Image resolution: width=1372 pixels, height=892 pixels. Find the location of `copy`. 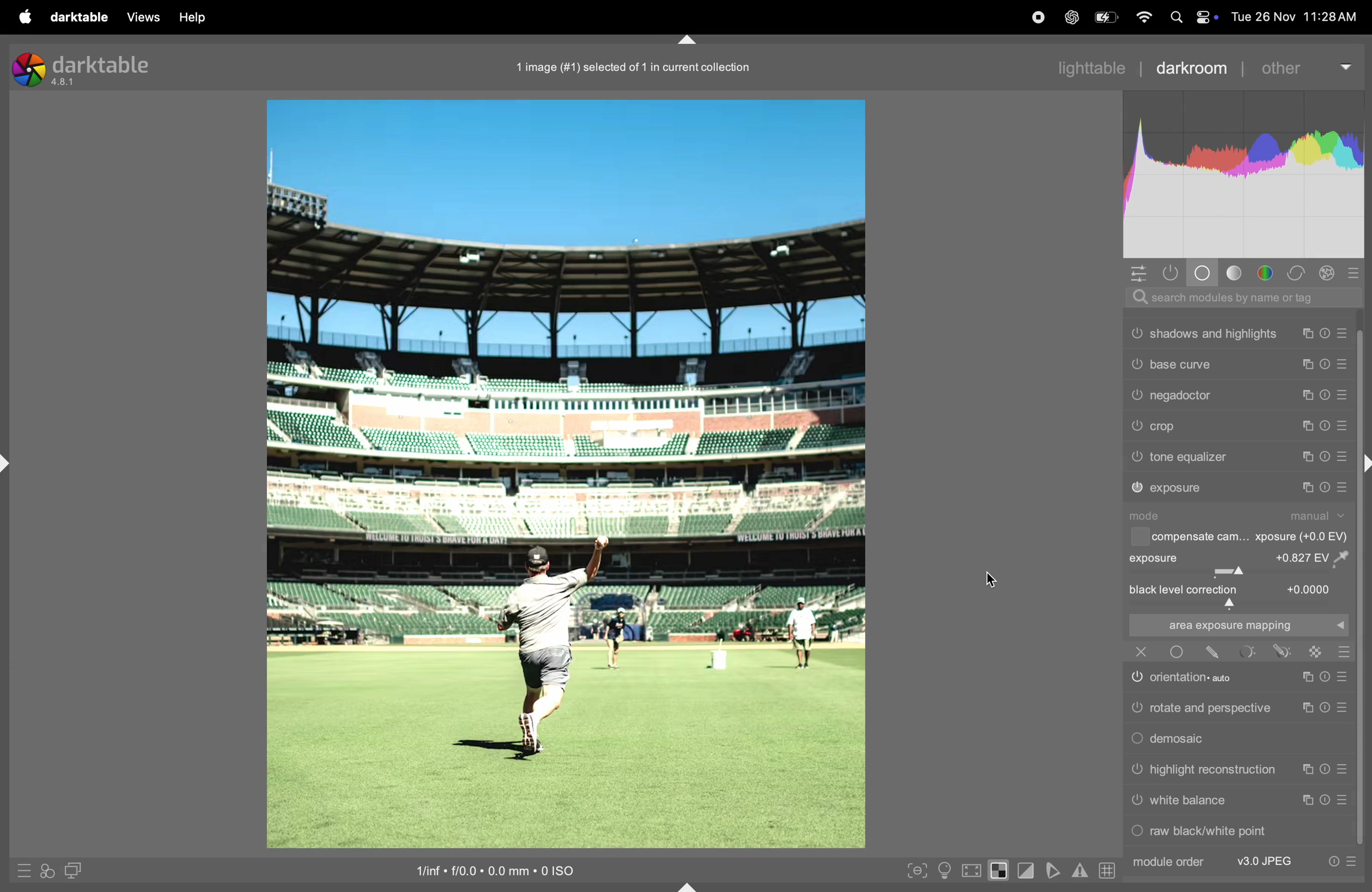

copy is located at coordinates (1305, 770).